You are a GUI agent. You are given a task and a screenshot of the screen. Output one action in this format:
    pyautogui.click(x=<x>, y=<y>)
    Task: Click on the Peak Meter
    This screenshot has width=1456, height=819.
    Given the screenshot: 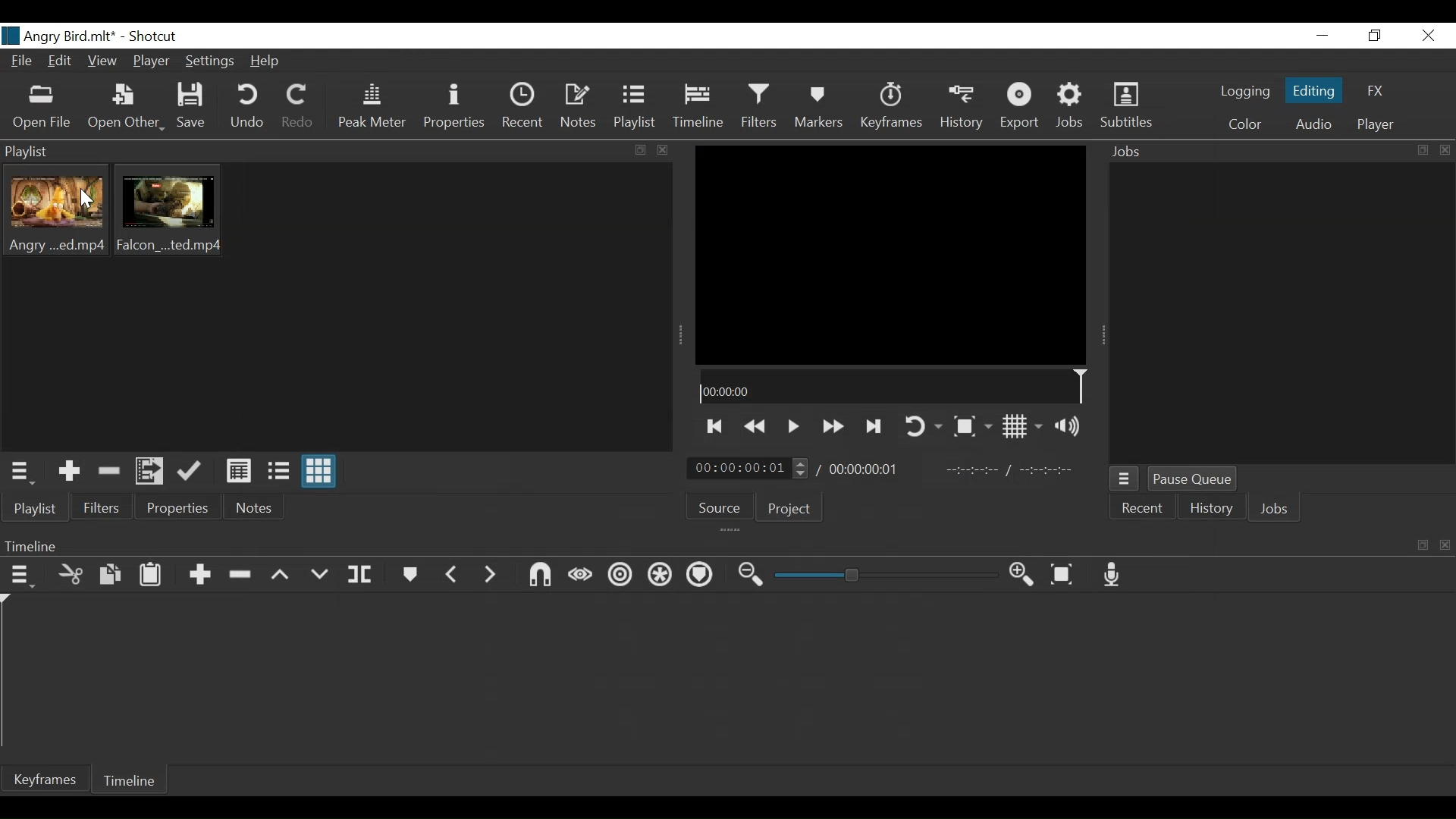 What is the action you would take?
    pyautogui.click(x=372, y=106)
    